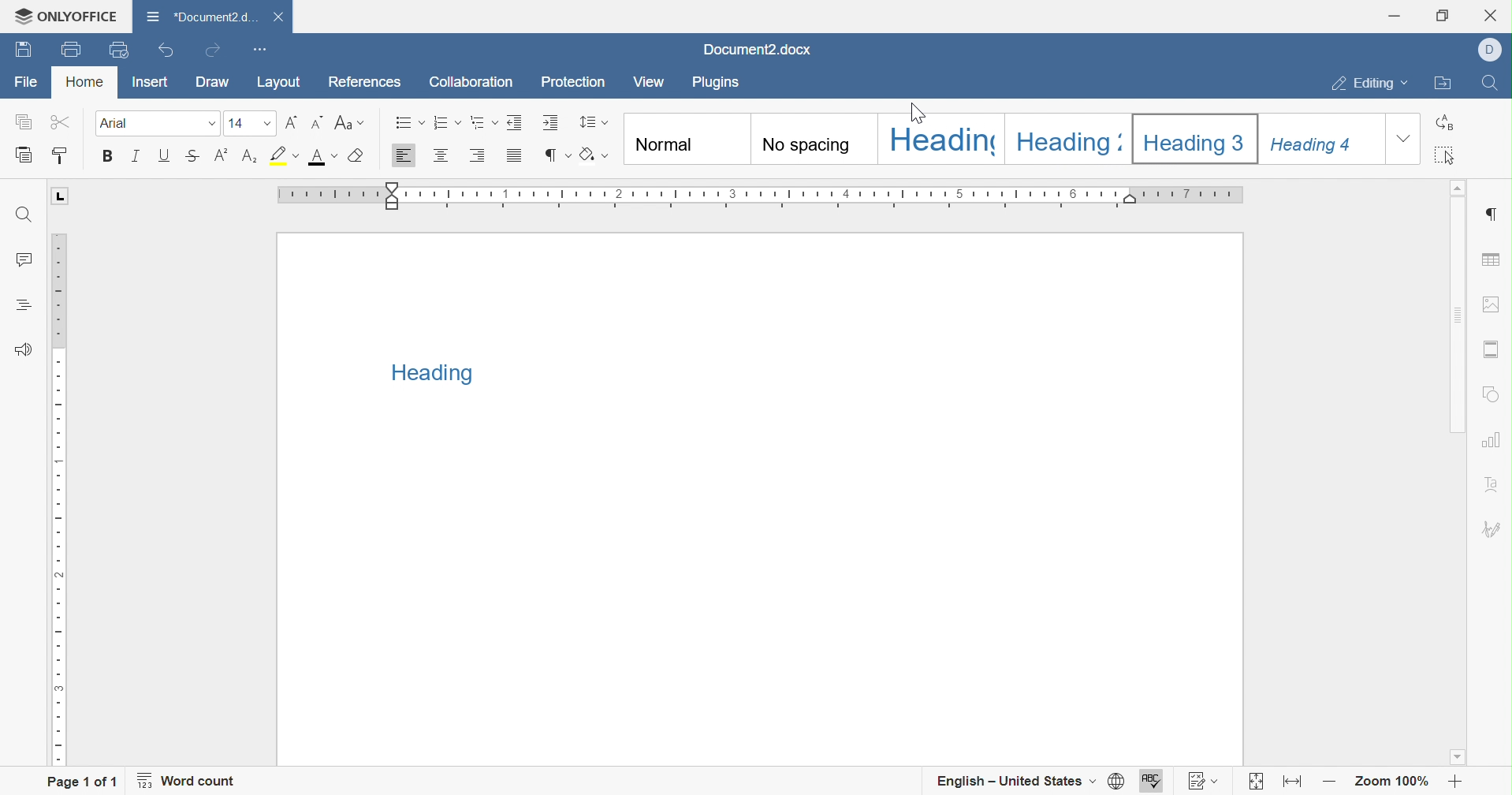  What do you see at coordinates (84, 80) in the screenshot?
I see `Home` at bounding box center [84, 80].